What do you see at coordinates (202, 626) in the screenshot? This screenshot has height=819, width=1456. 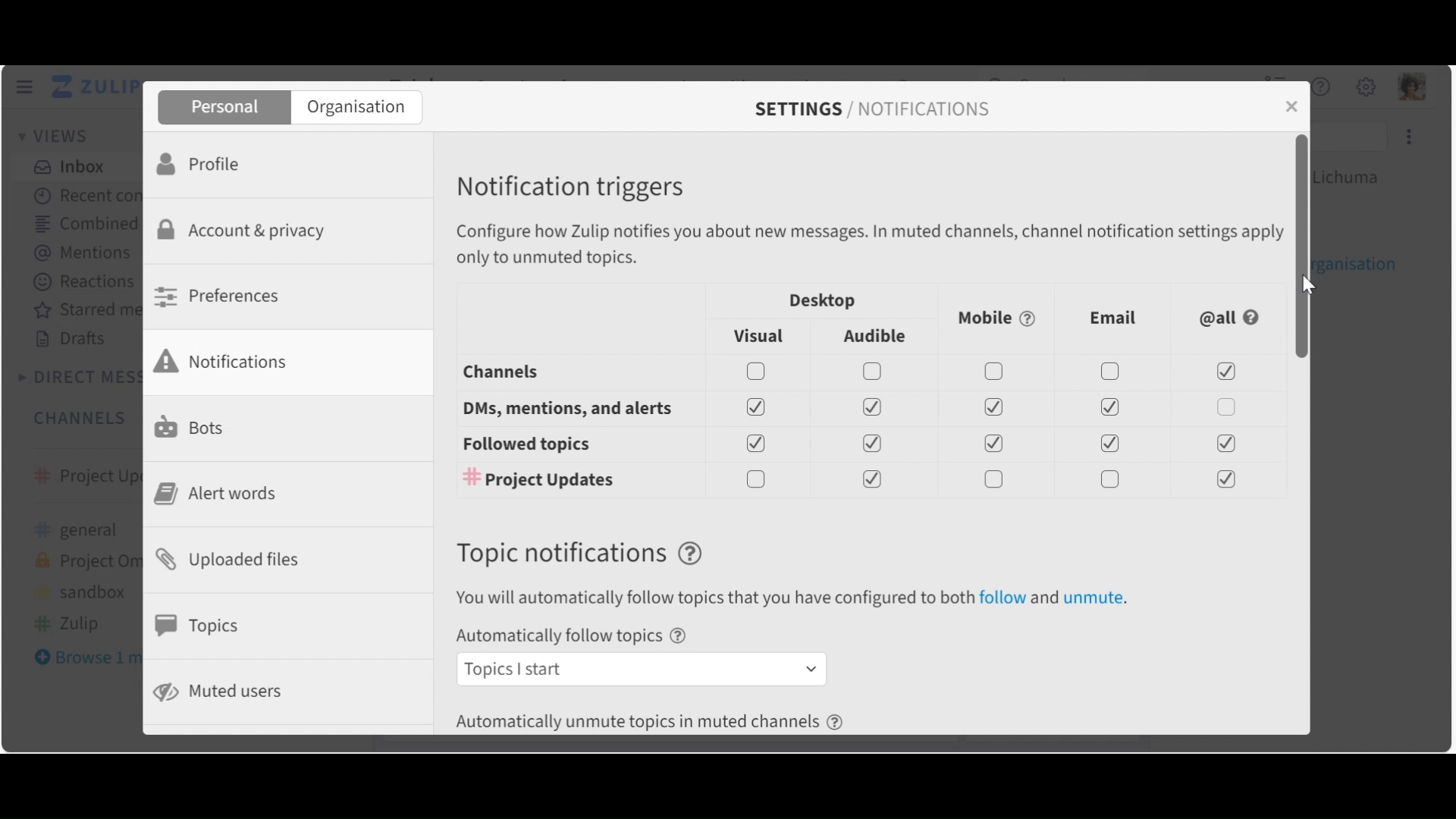 I see `Topics` at bounding box center [202, 626].